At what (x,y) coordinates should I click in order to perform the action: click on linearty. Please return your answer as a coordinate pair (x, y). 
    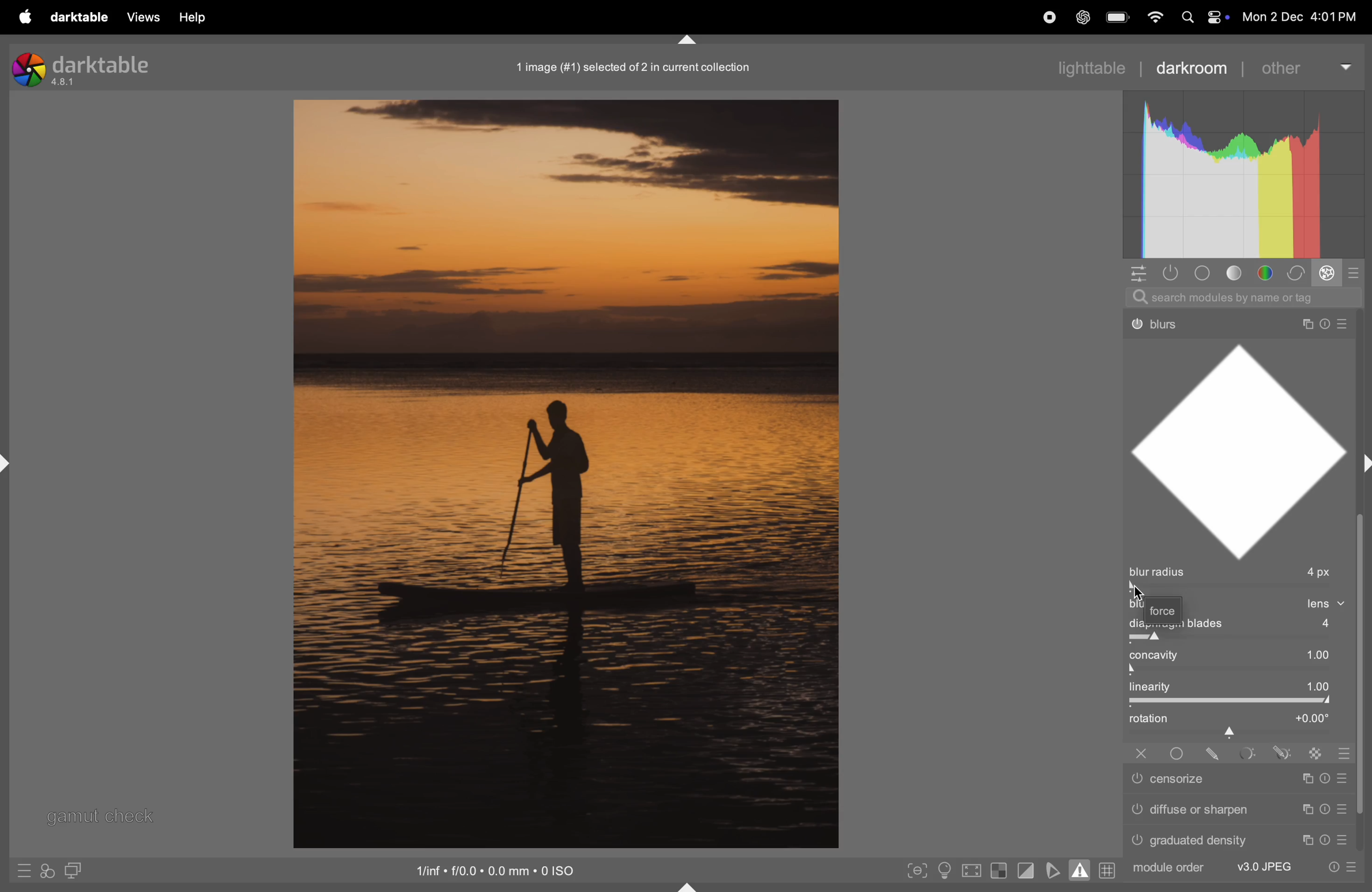
    Looking at the image, I should click on (1238, 687).